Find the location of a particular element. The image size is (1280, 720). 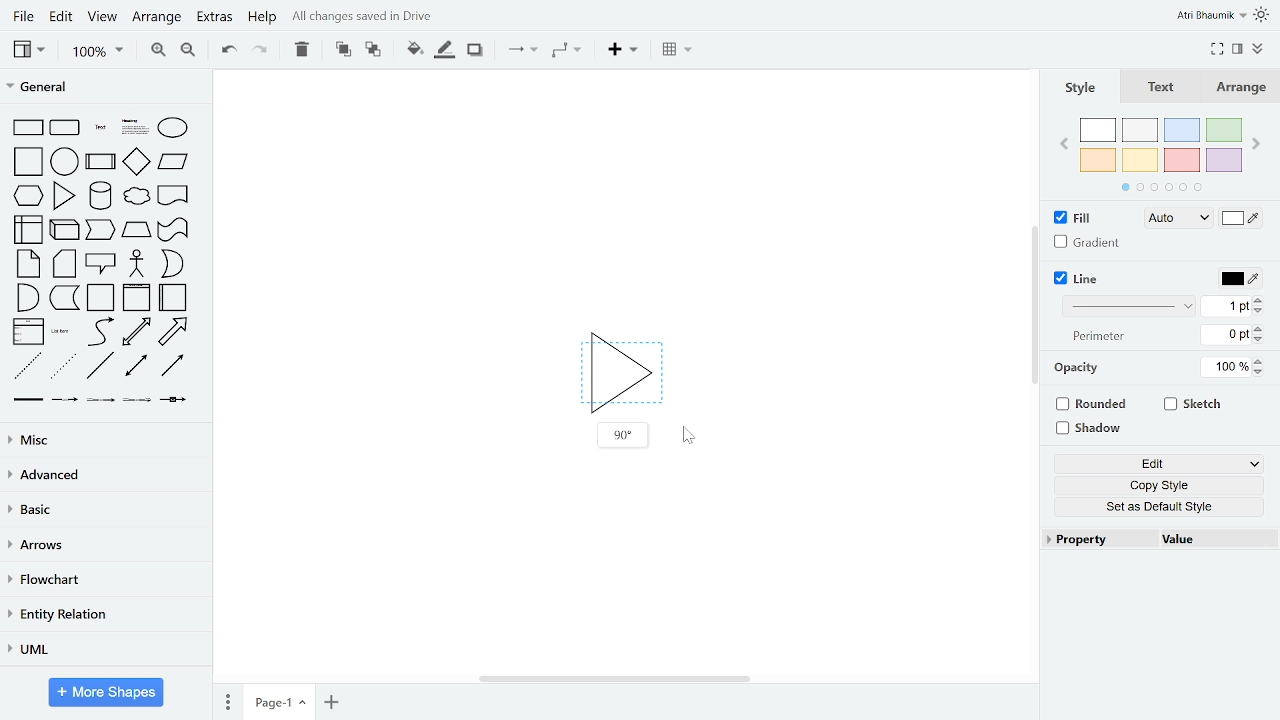

current perimeter is located at coordinates (1226, 335).